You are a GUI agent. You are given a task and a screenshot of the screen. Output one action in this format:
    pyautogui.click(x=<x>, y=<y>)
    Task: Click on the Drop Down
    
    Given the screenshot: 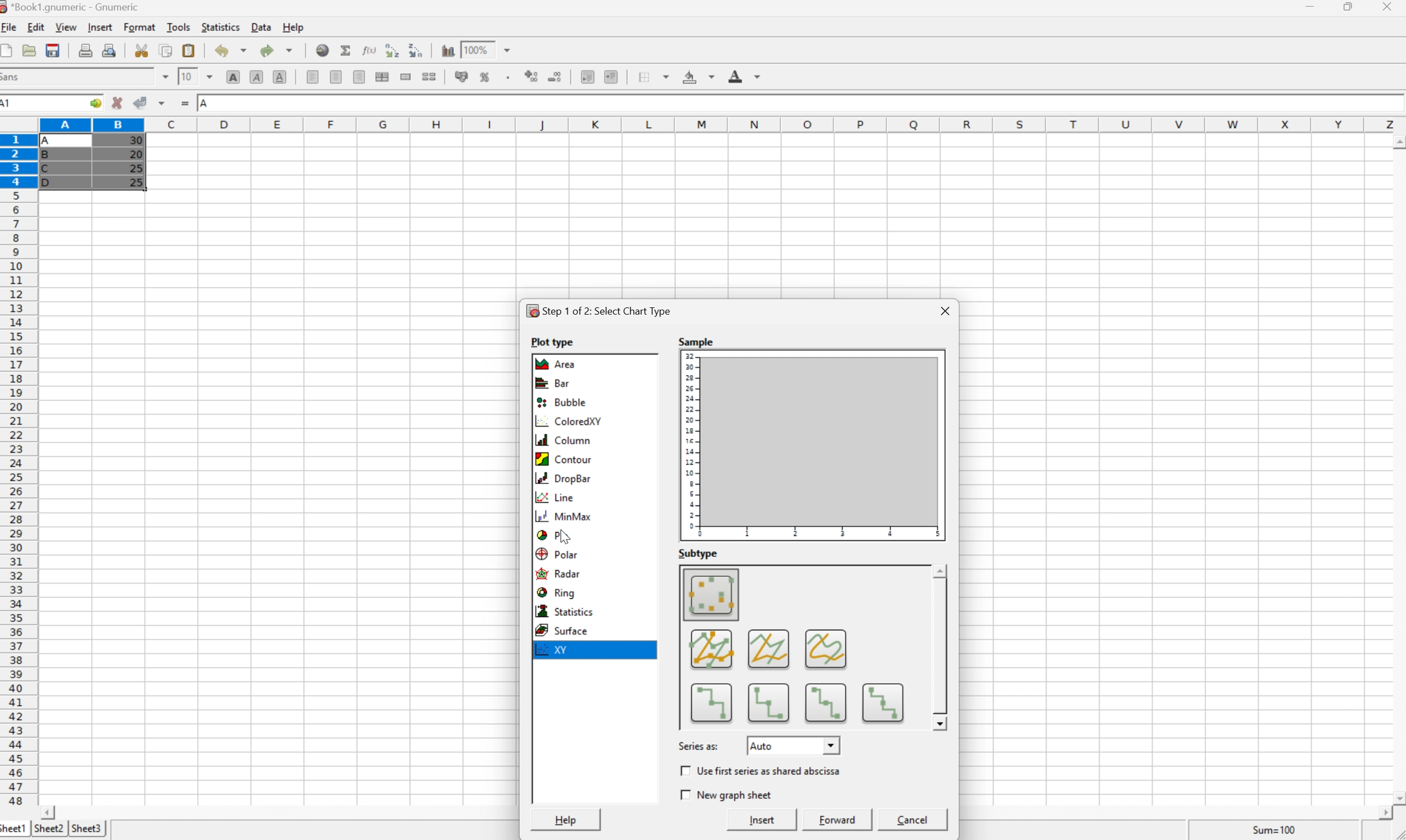 What is the action you would take?
    pyautogui.click(x=941, y=571)
    